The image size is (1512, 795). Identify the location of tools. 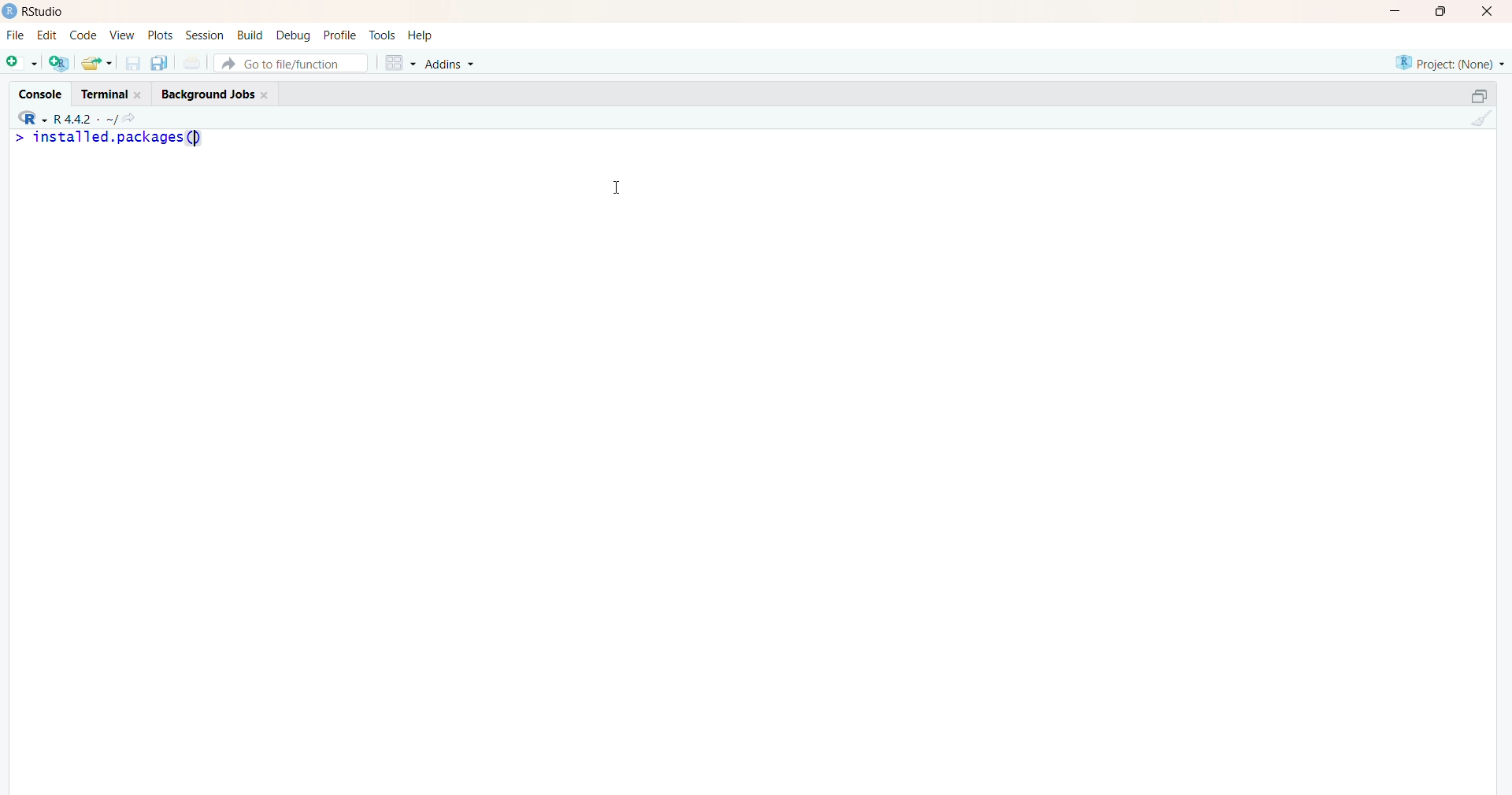
(382, 35).